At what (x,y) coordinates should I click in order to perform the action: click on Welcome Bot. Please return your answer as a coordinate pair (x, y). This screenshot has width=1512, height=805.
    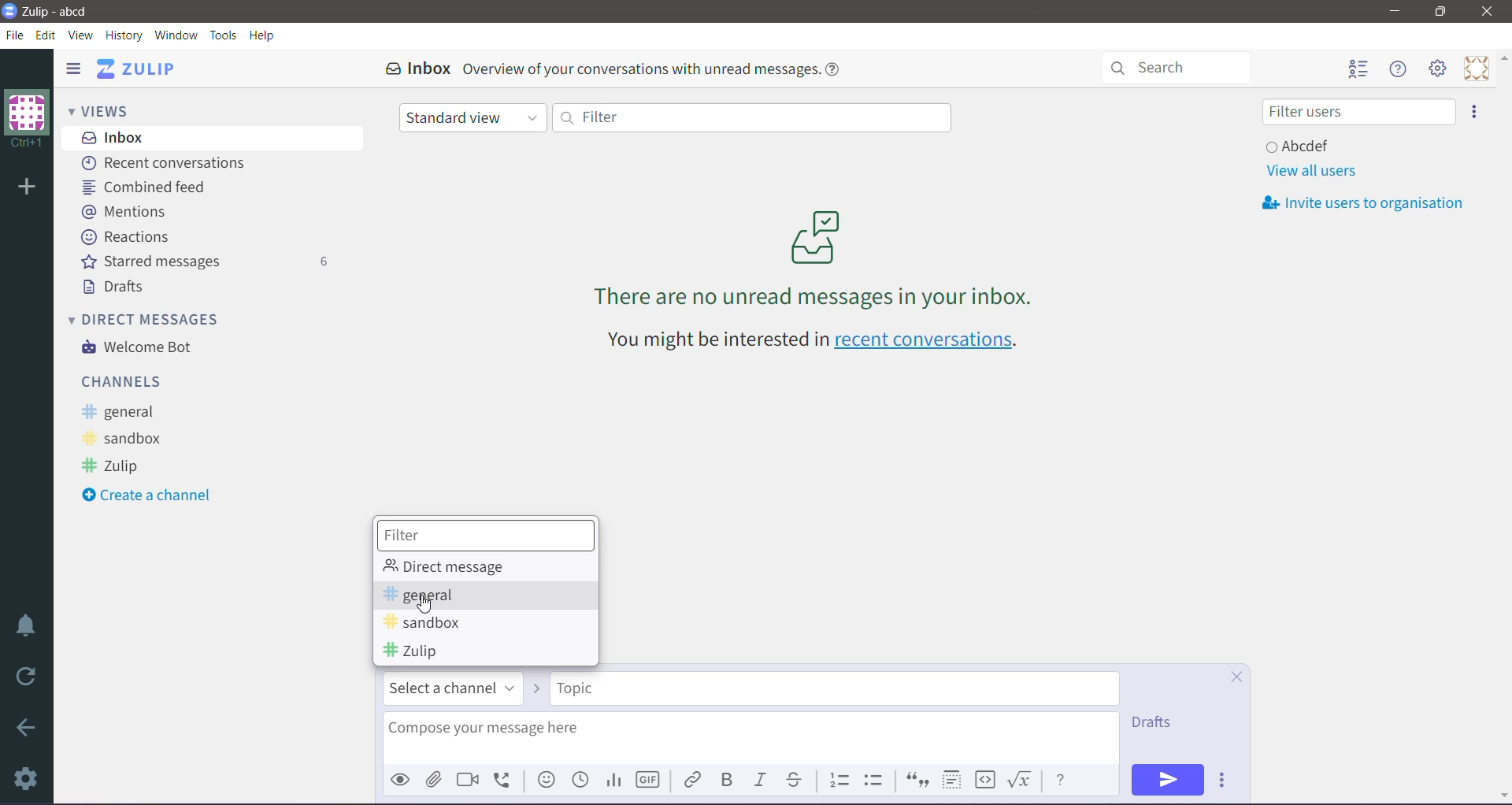
    Looking at the image, I should click on (141, 348).